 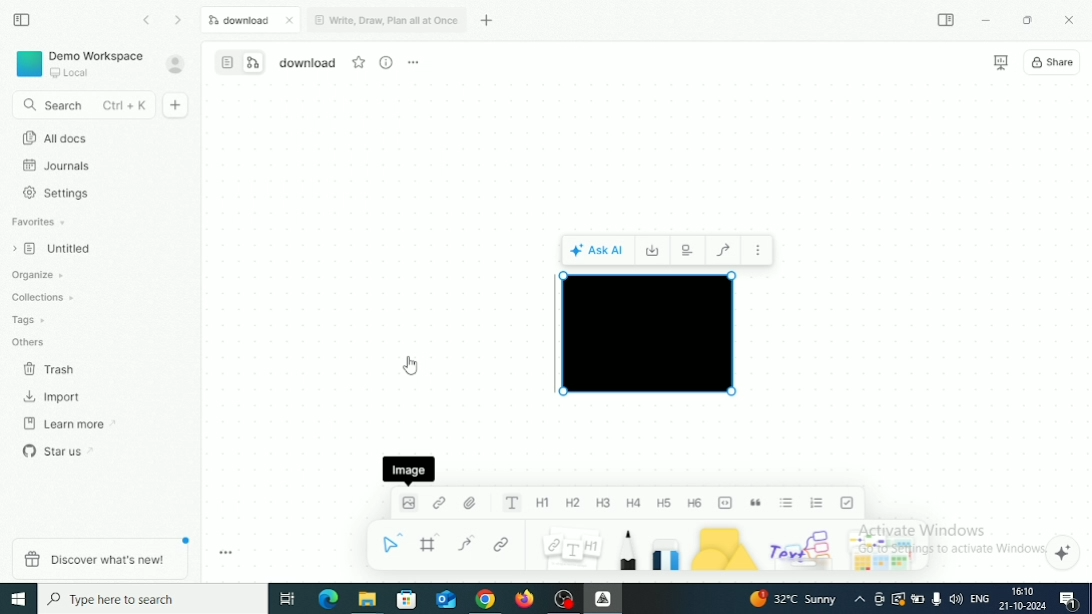 What do you see at coordinates (252, 20) in the screenshot?
I see `Download` at bounding box center [252, 20].